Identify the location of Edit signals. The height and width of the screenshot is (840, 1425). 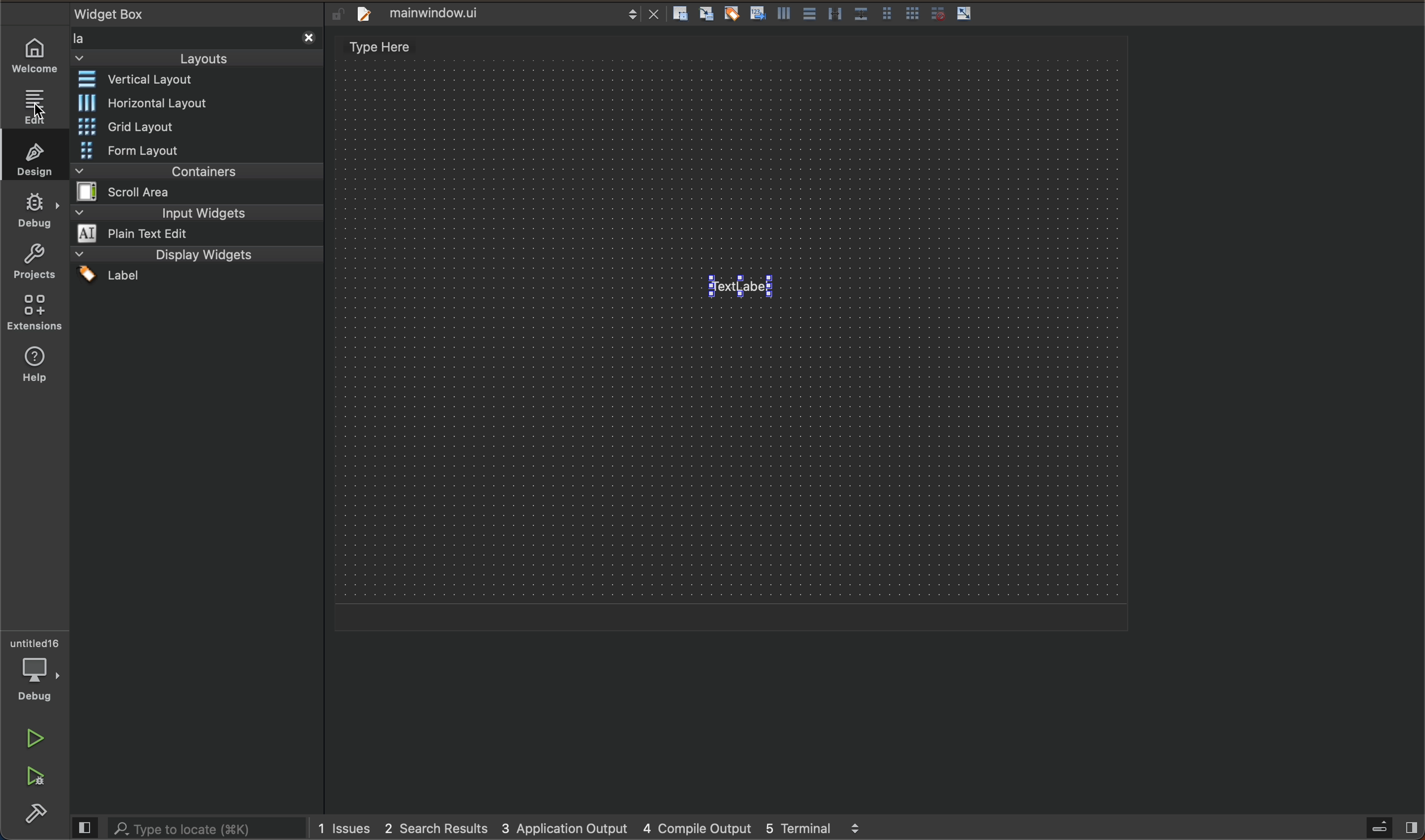
(704, 10).